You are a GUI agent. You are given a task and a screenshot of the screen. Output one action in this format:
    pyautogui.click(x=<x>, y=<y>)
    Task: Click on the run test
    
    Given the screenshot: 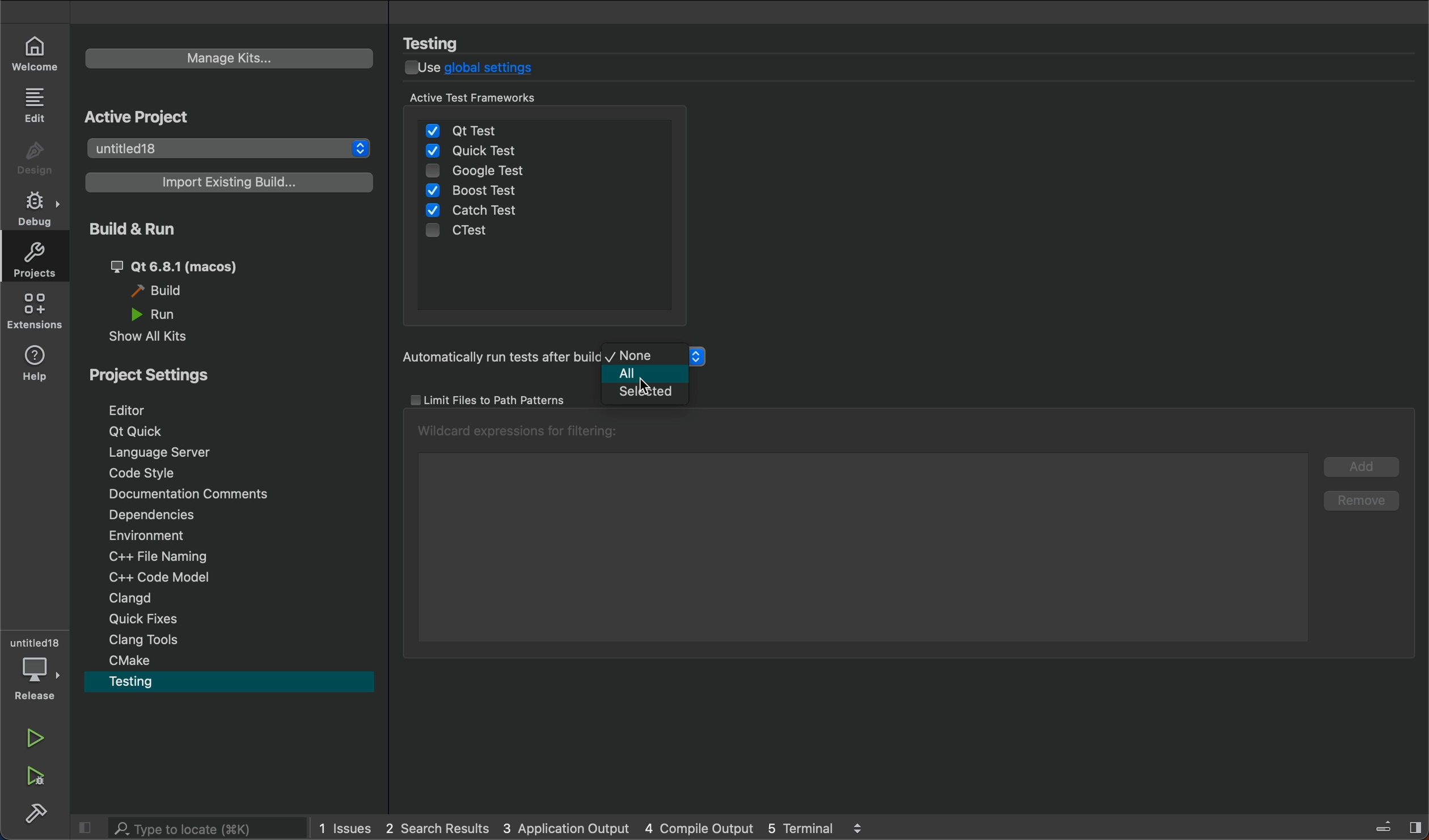 What is the action you would take?
    pyautogui.click(x=492, y=358)
    